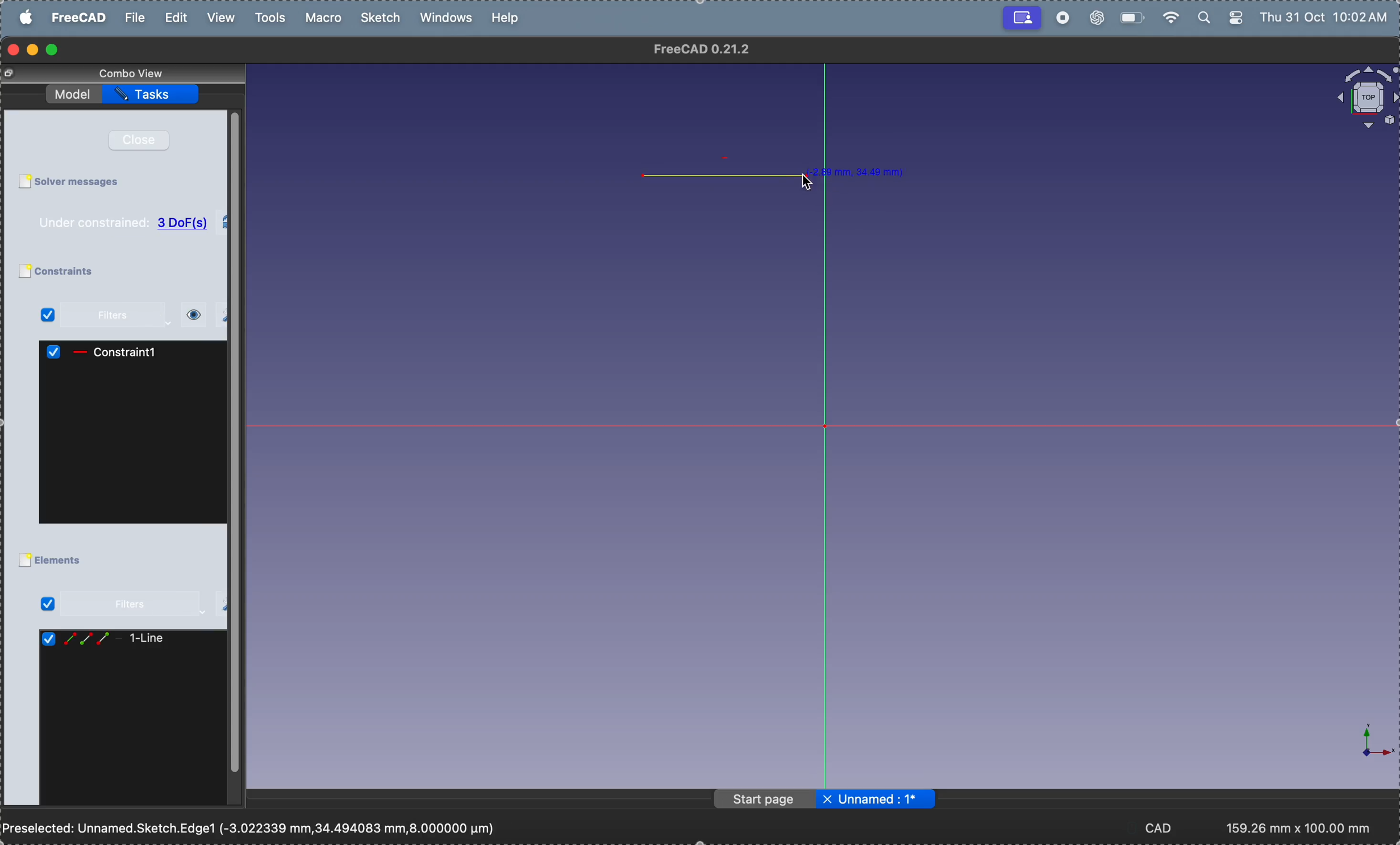 The image size is (1400, 845). I want to click on free cad, so click(81, 17).